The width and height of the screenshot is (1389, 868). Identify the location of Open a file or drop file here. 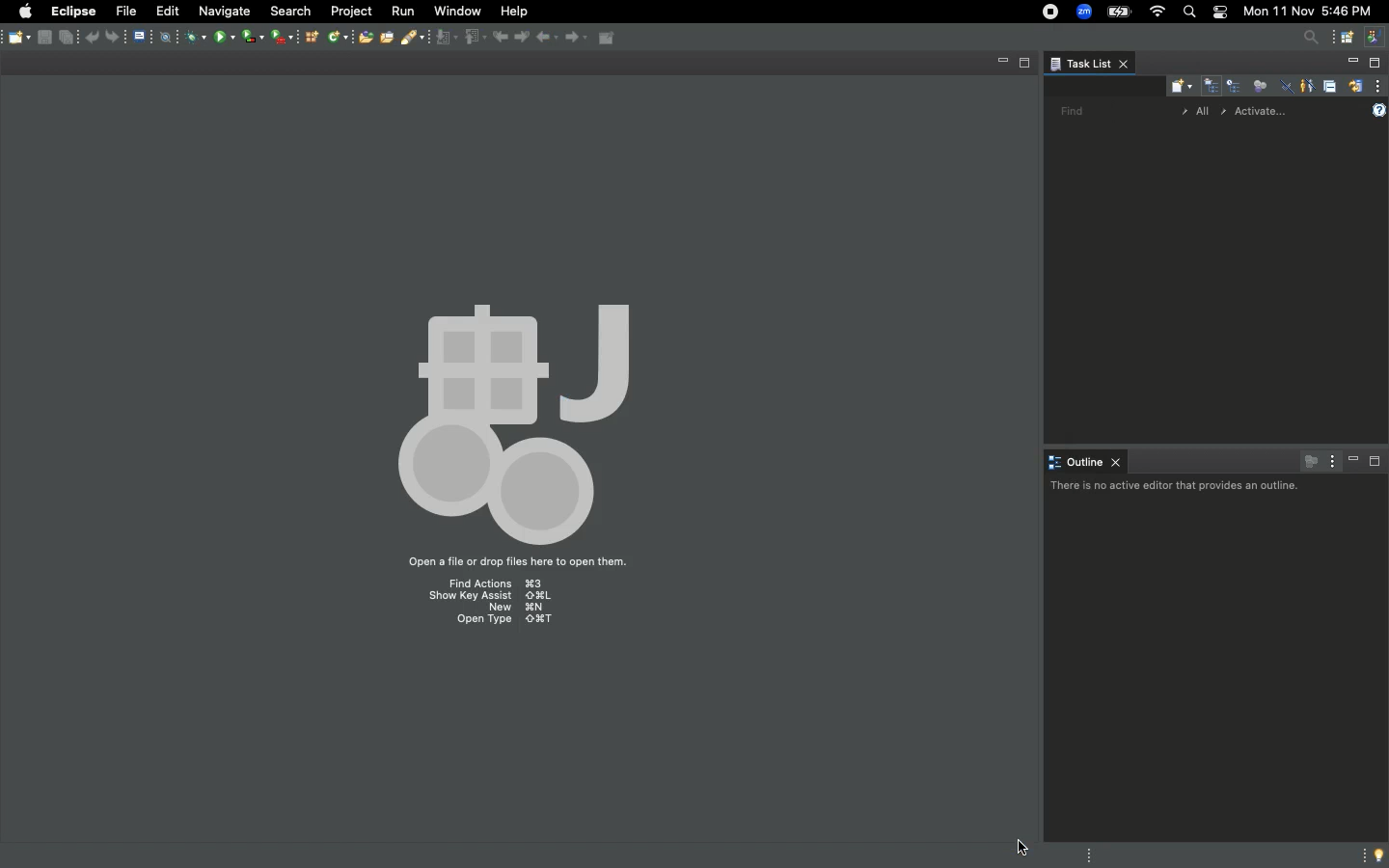
(533, 561).